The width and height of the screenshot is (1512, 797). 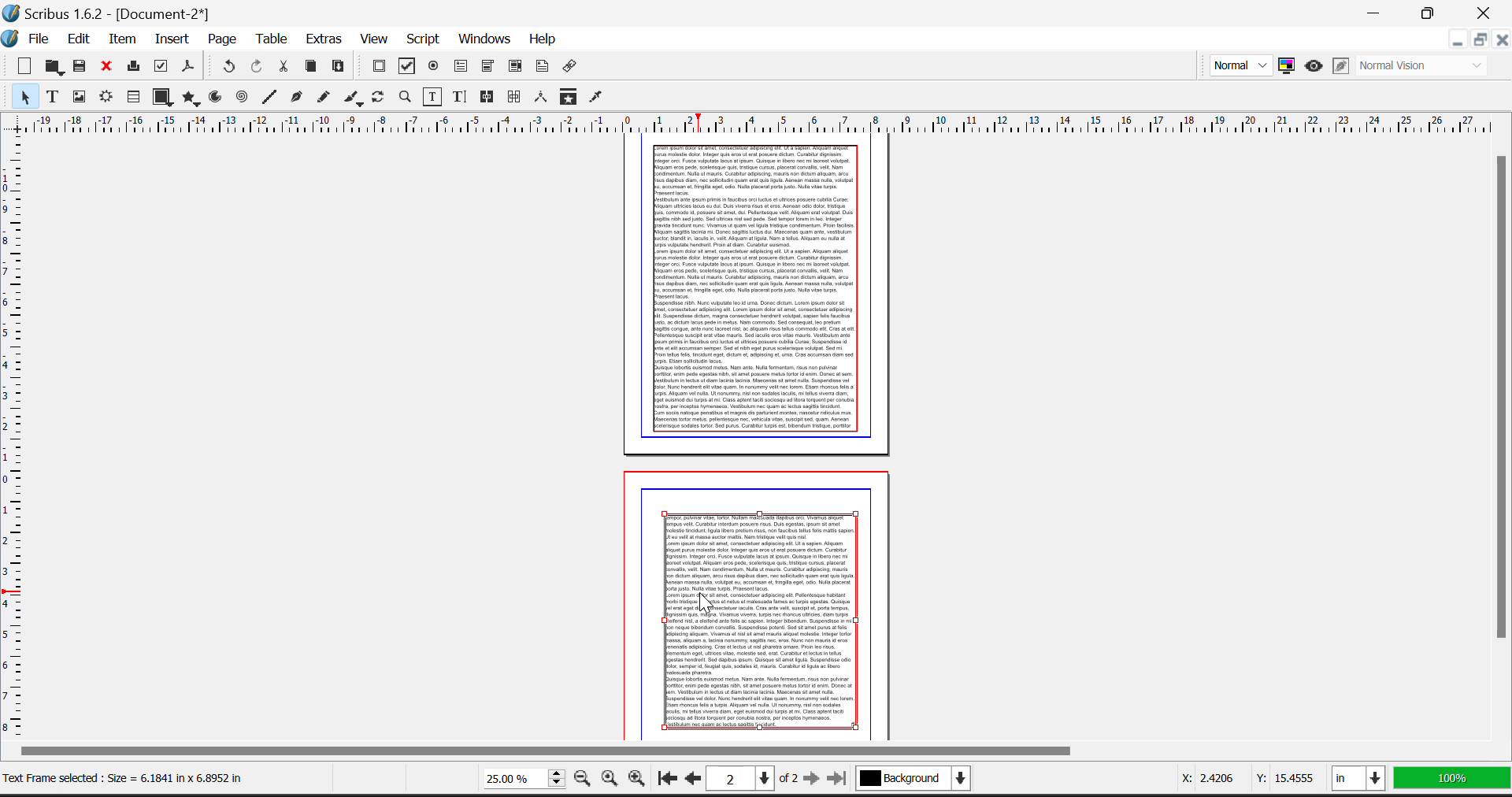 I want to click on Print, so click(x=133, y=69).